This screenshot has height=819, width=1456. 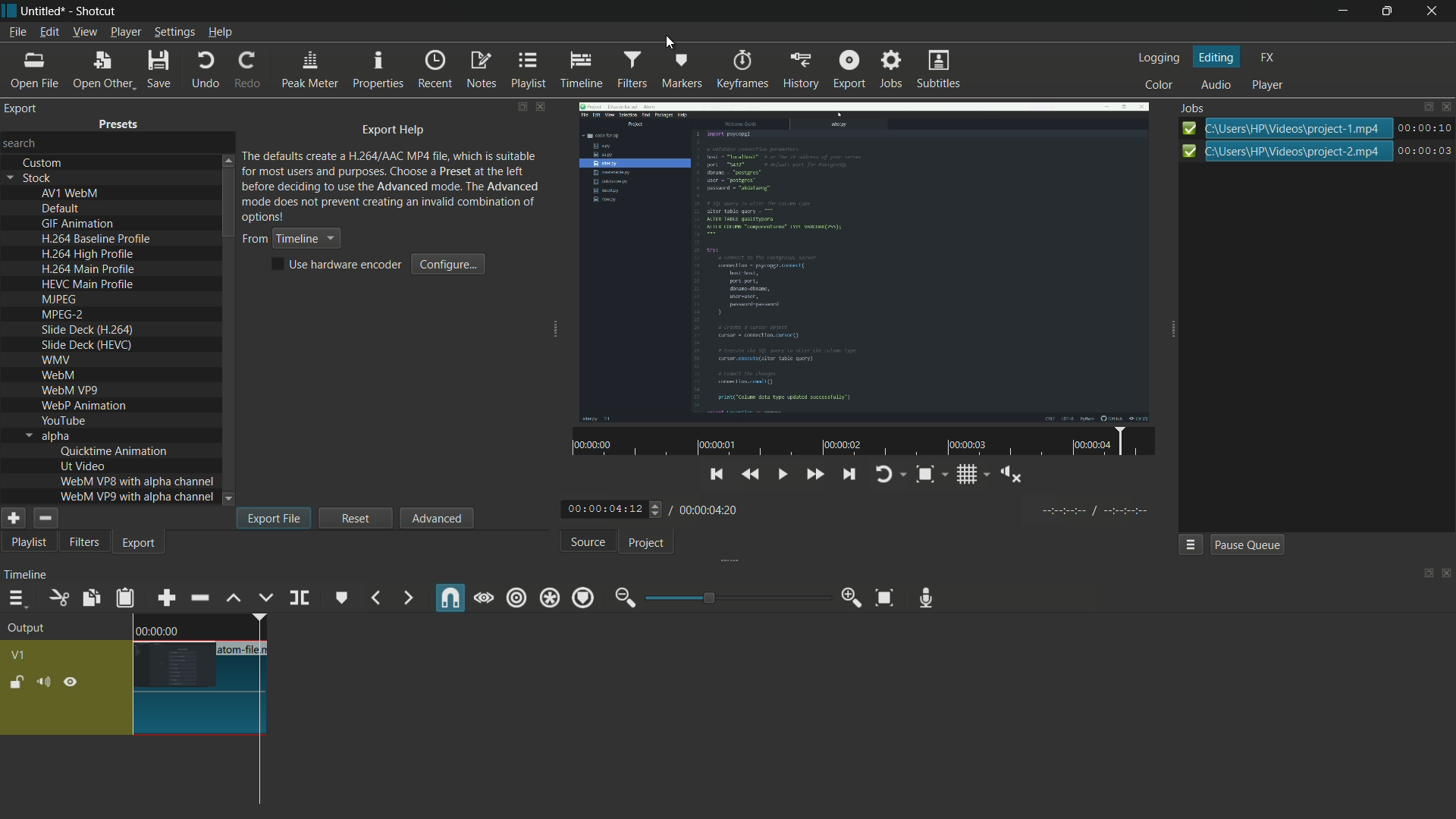 I want to click on toggle zoom, so click(x=1090, y=510).